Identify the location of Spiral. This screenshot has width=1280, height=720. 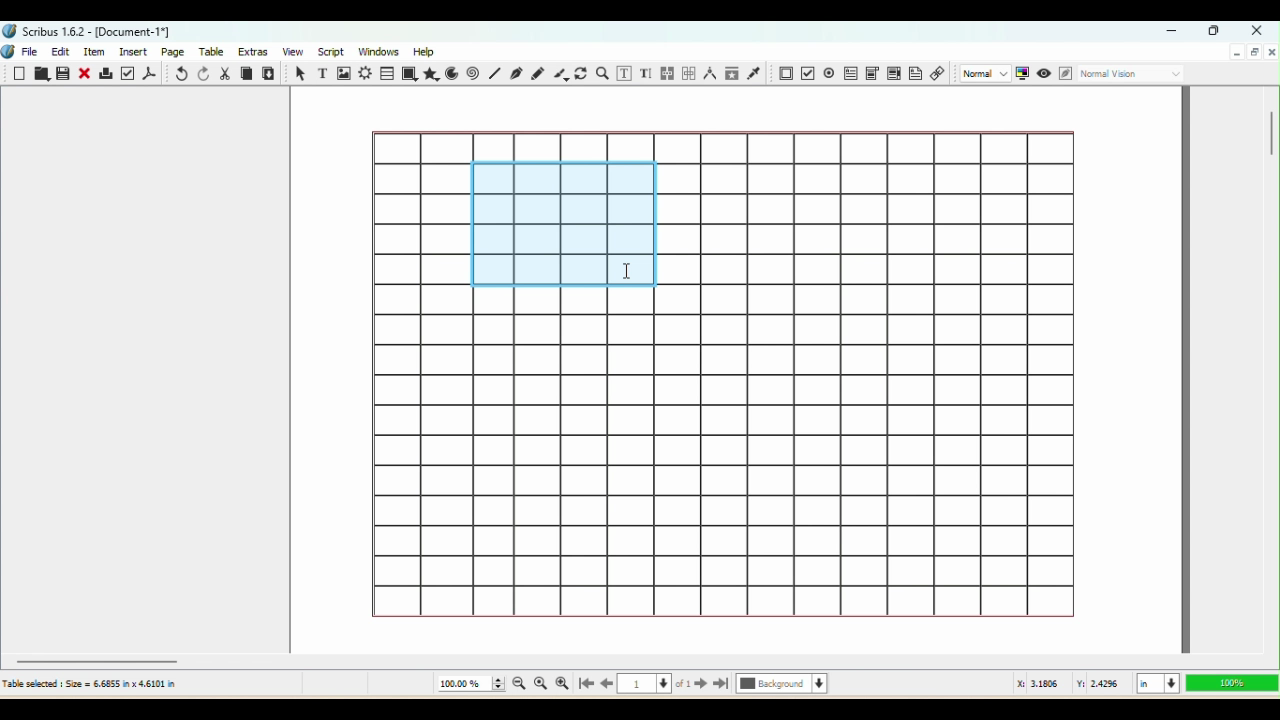
(475, 74).